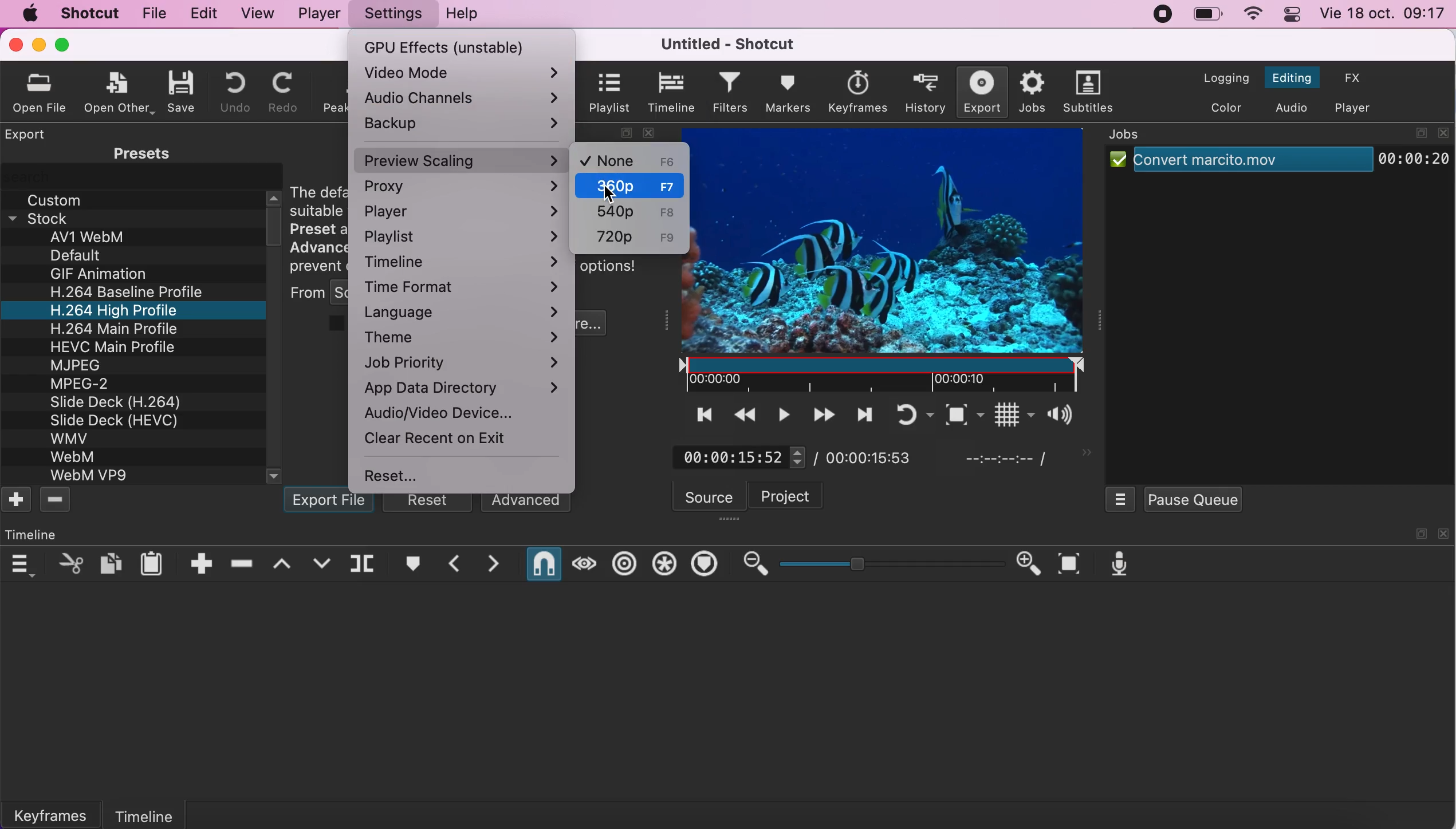  Describe the element at coordinates (632, 212) in the screenshot. I see `540p` at that location.